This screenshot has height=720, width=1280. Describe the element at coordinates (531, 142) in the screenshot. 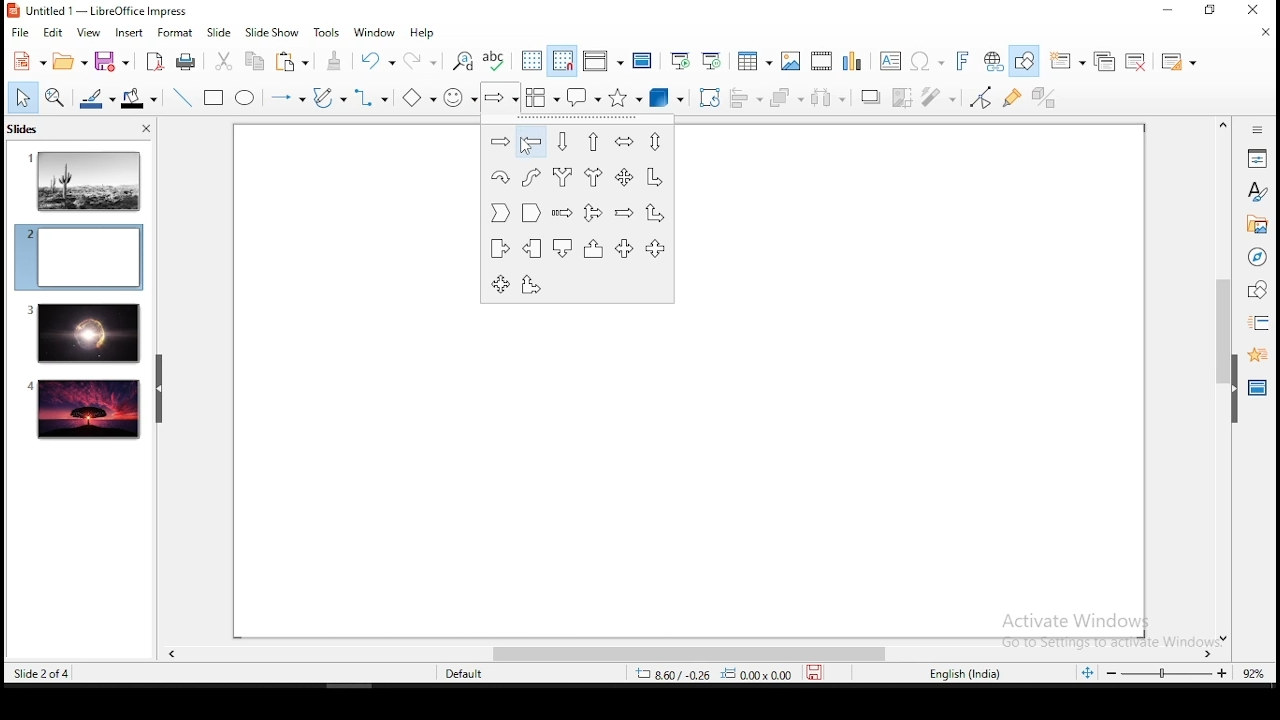

I see `left arrow` at that location.